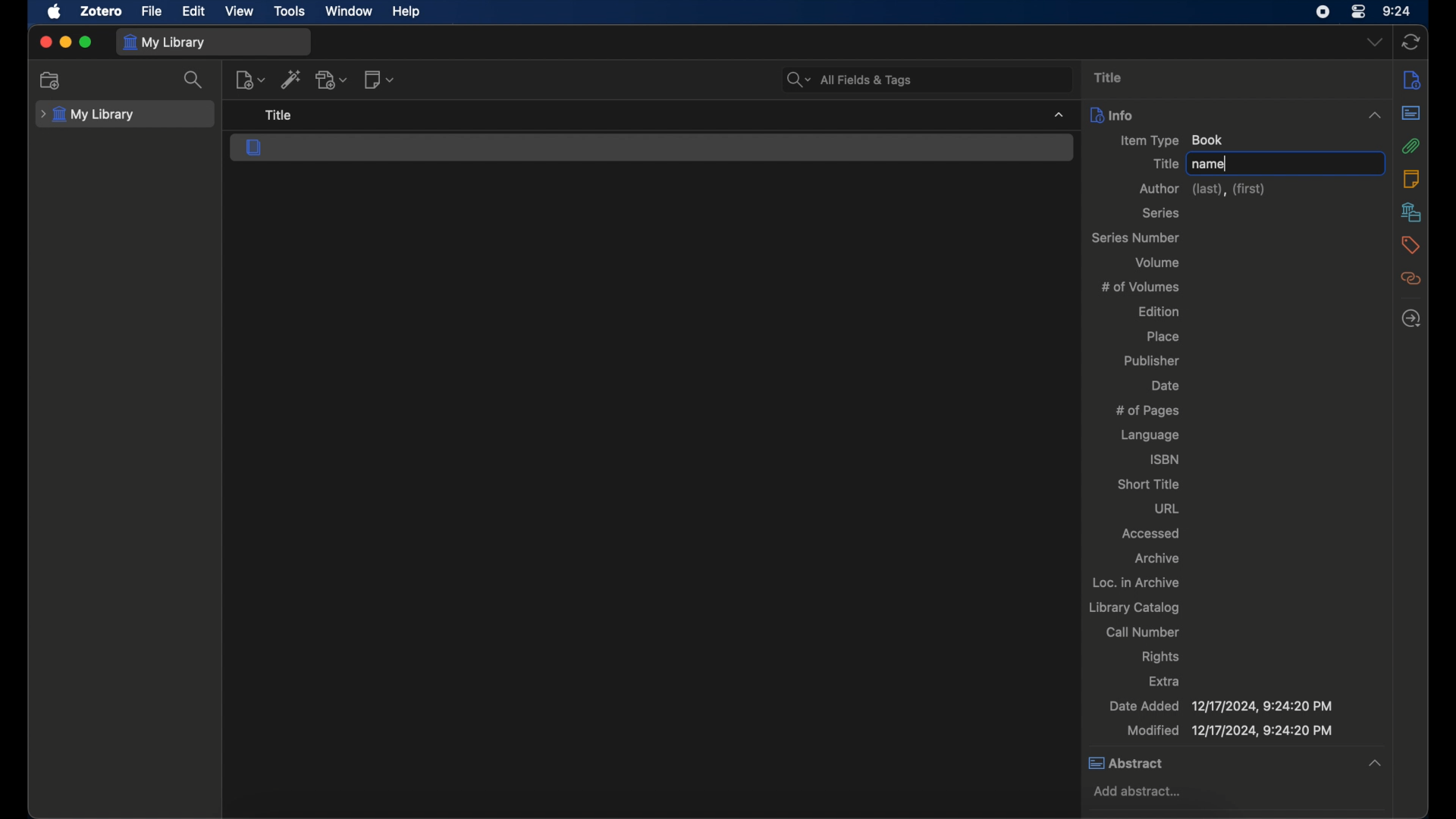 This screenshot has height=819, width=1456. Describe the element at coordinates (1134, 608) in the screenshot. I see `library catalog` at that location.